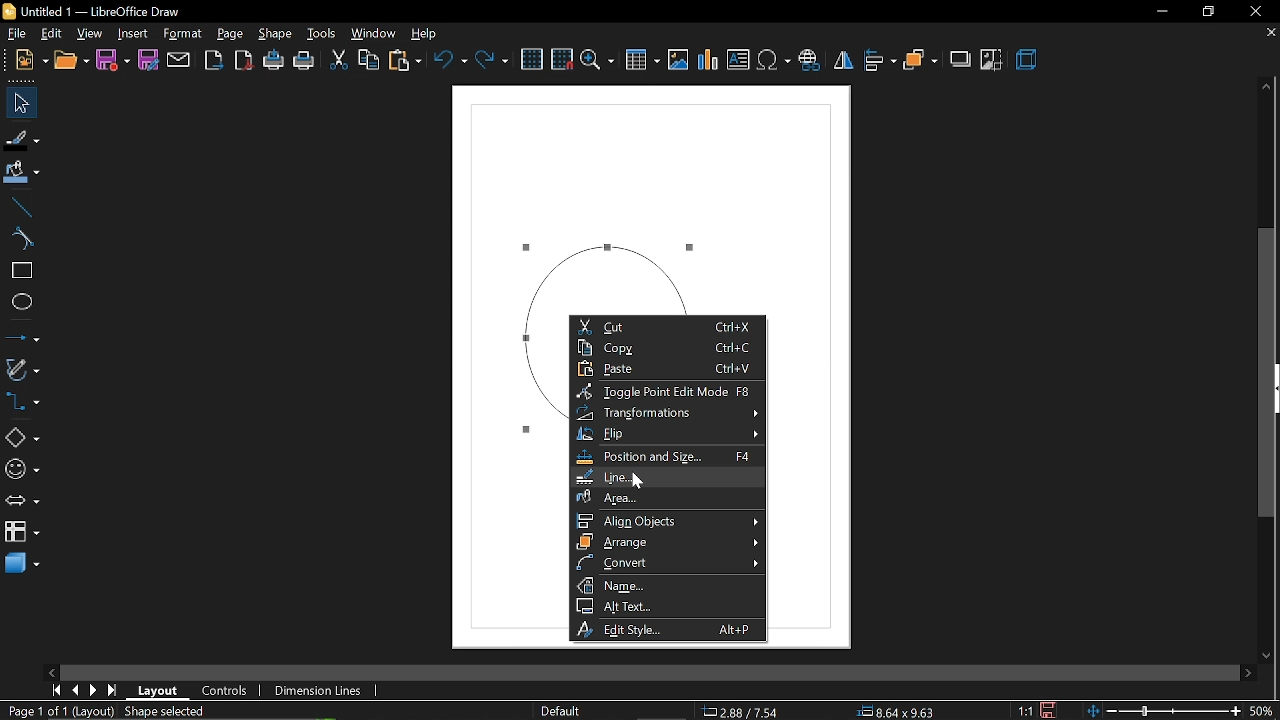 This screenshot has height=720, width=1280. Describe the element at coordinates (991, 59) in the screenshot. I see `crop` at that location.